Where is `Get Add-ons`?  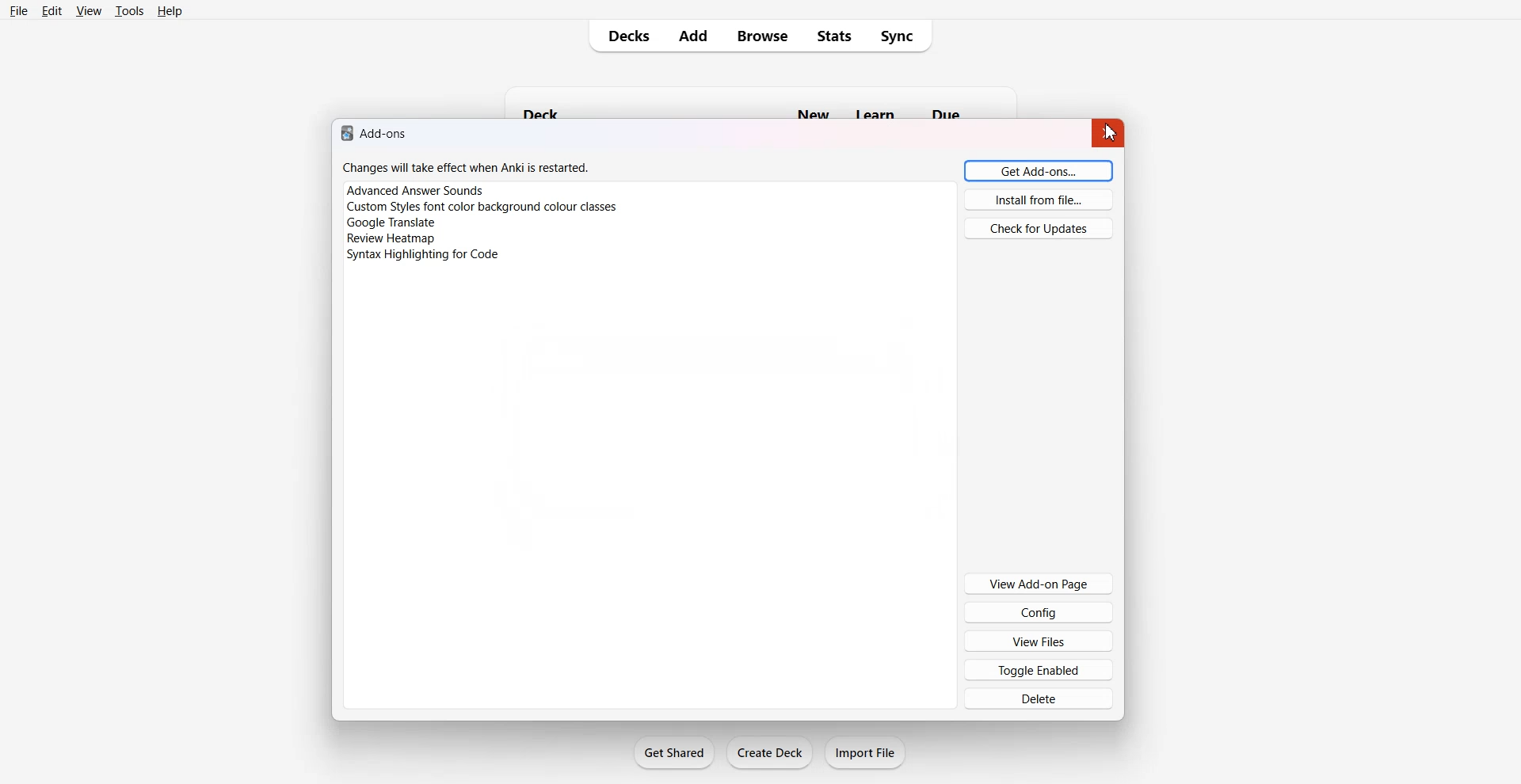 Get Add-ons is located at coordinates (1038, 170).